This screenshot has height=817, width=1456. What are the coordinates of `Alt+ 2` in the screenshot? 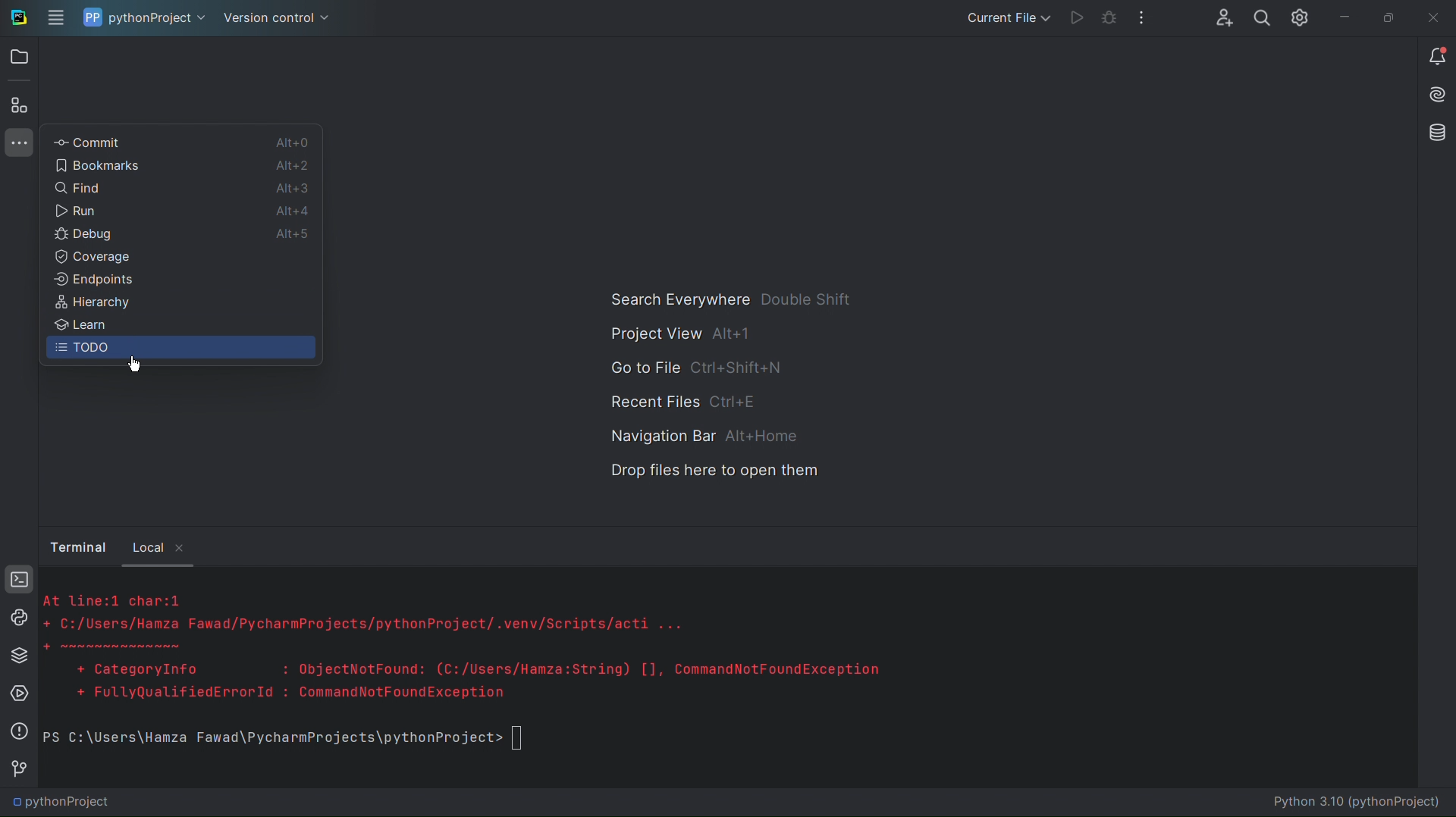 It's located at (289, 167).